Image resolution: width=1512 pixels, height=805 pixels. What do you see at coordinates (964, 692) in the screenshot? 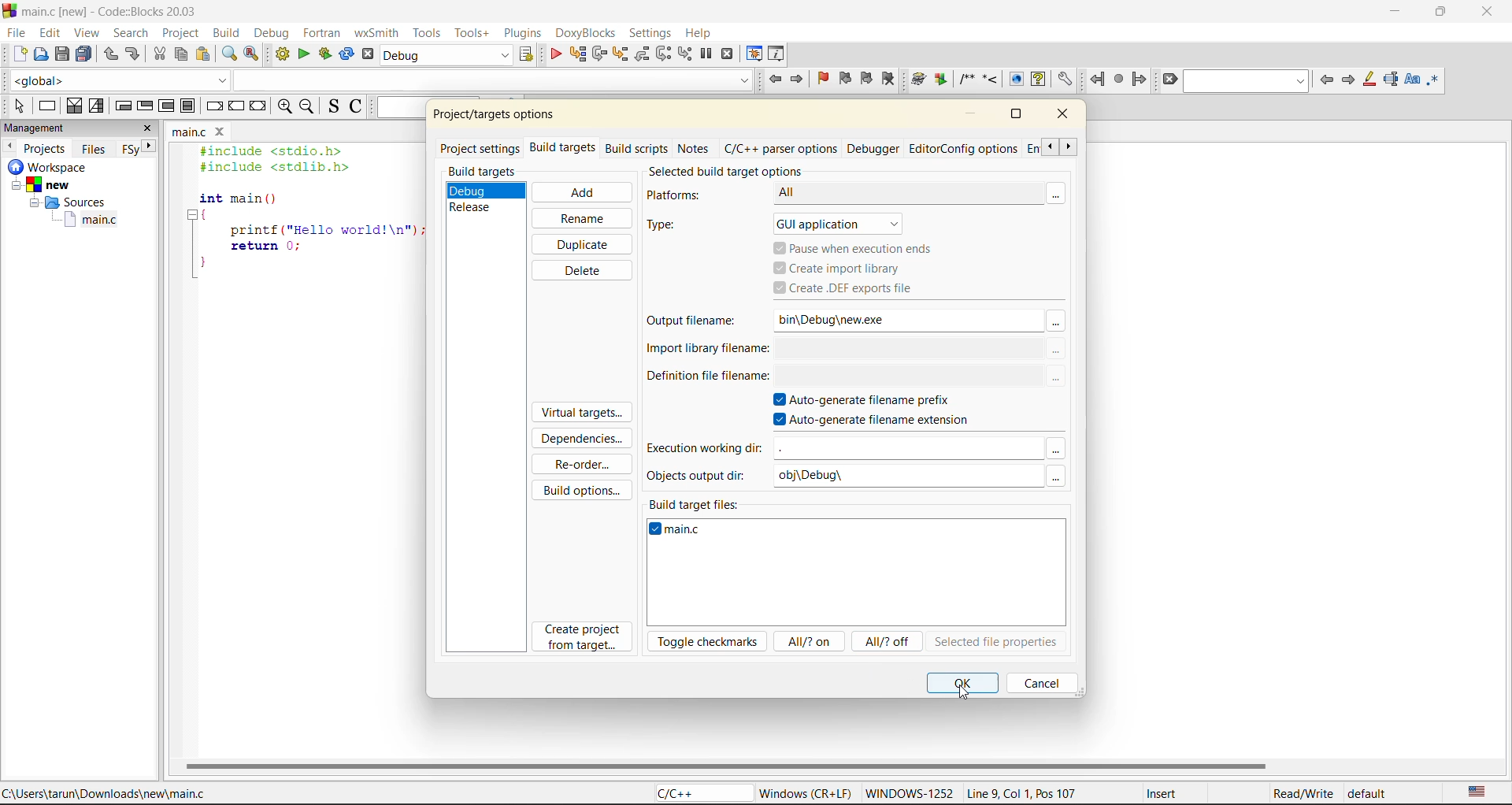
I see `cursor` at bounding box center [964, 692].